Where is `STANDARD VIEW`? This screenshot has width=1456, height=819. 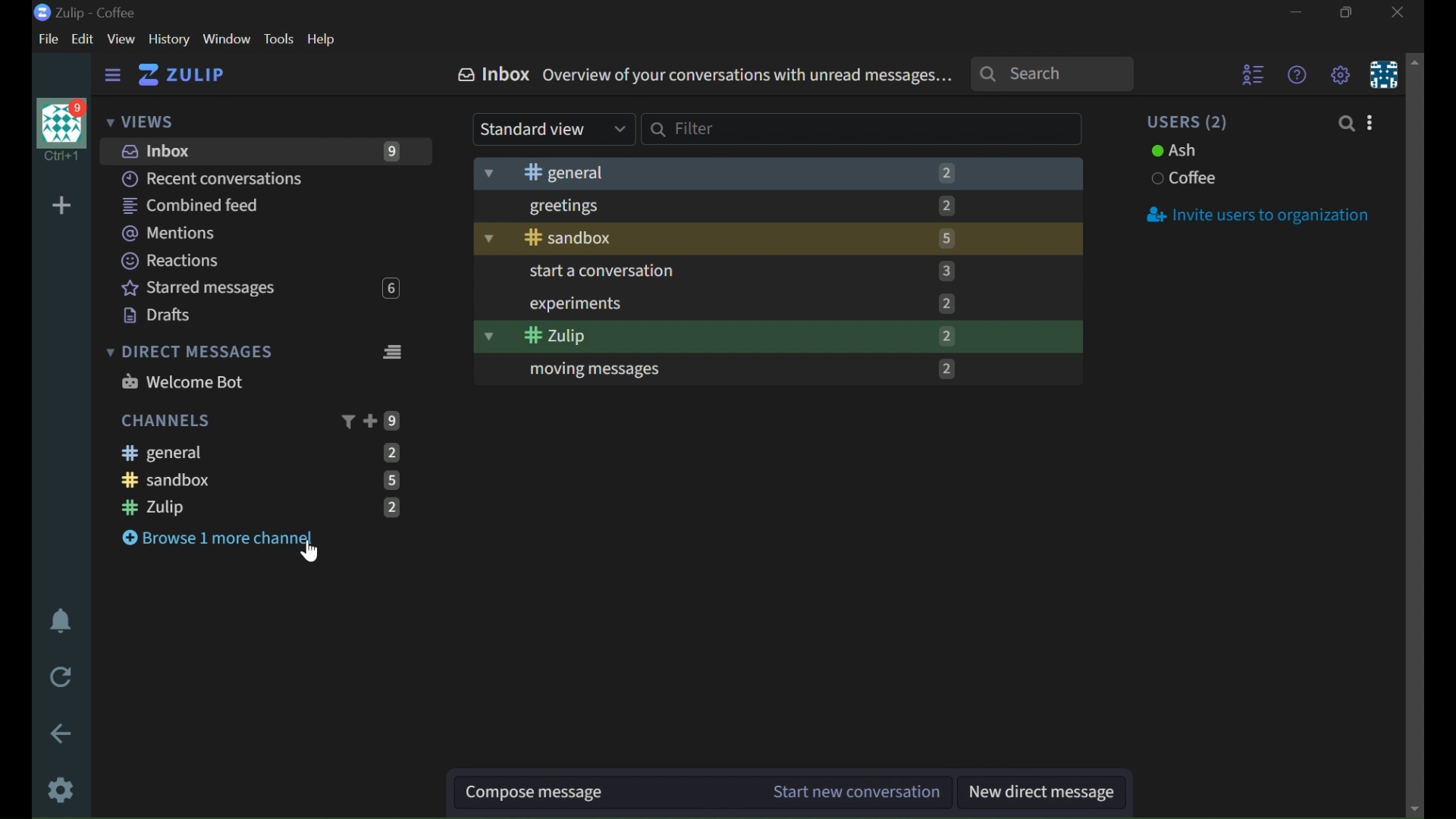 STANDARD VIEW is located at coordinates (546, 126).